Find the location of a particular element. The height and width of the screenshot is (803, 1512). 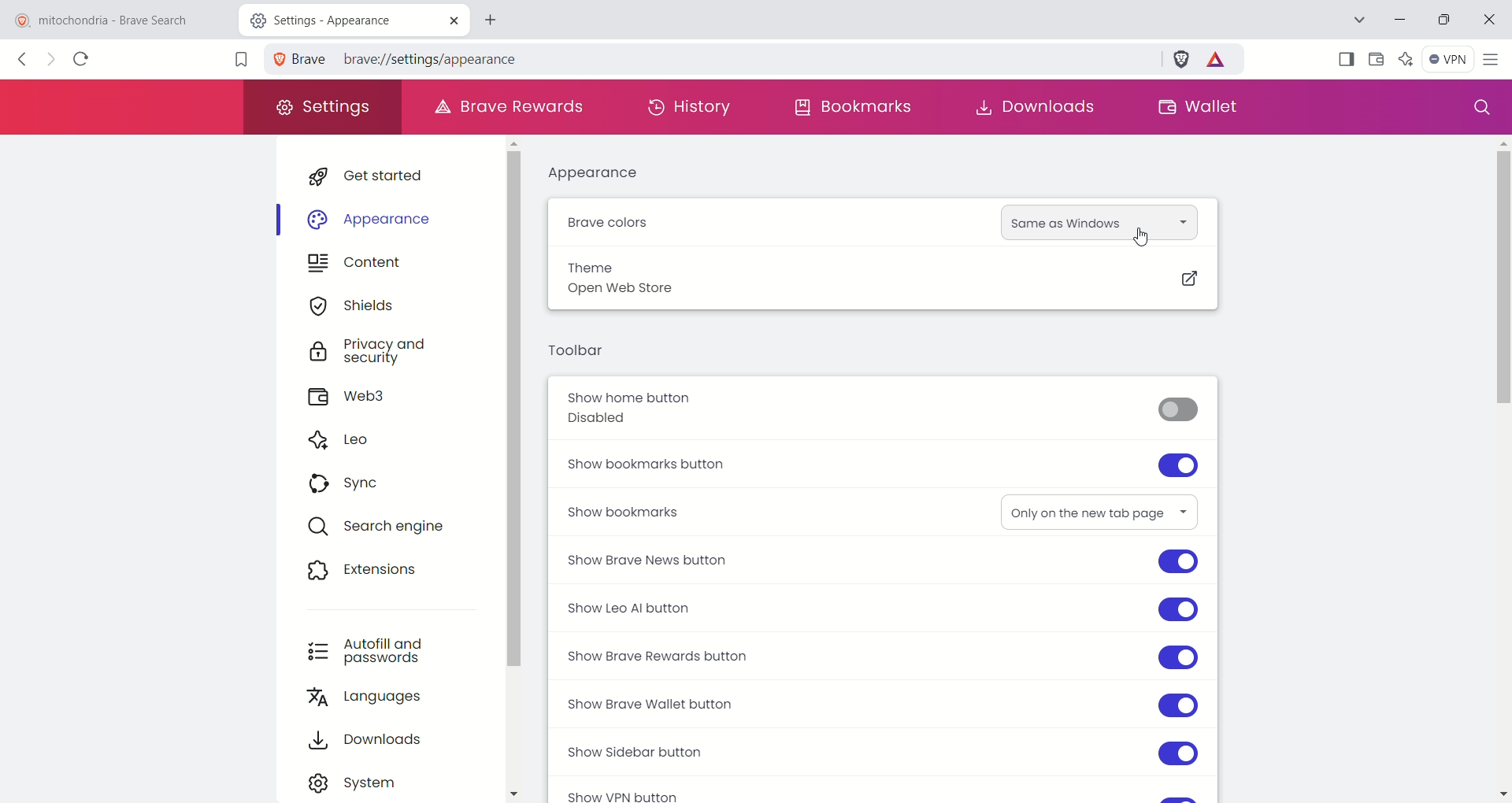

wallet is located at coordinates (1198, 106).